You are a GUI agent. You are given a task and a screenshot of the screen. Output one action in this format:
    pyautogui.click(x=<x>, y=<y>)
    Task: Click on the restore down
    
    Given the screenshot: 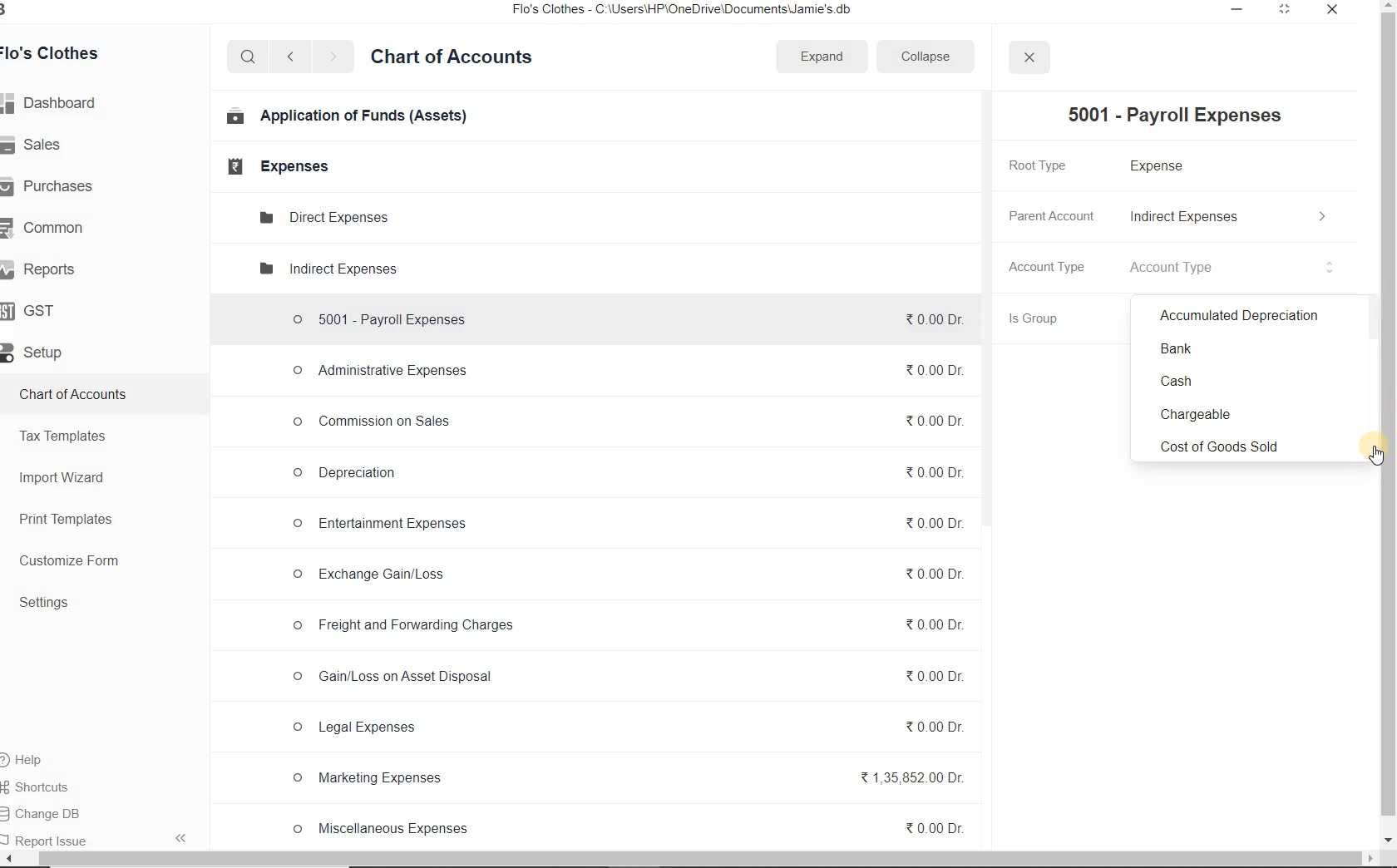 What is the action you would take?
    pyautogui.click(x=1286, y=11)
    